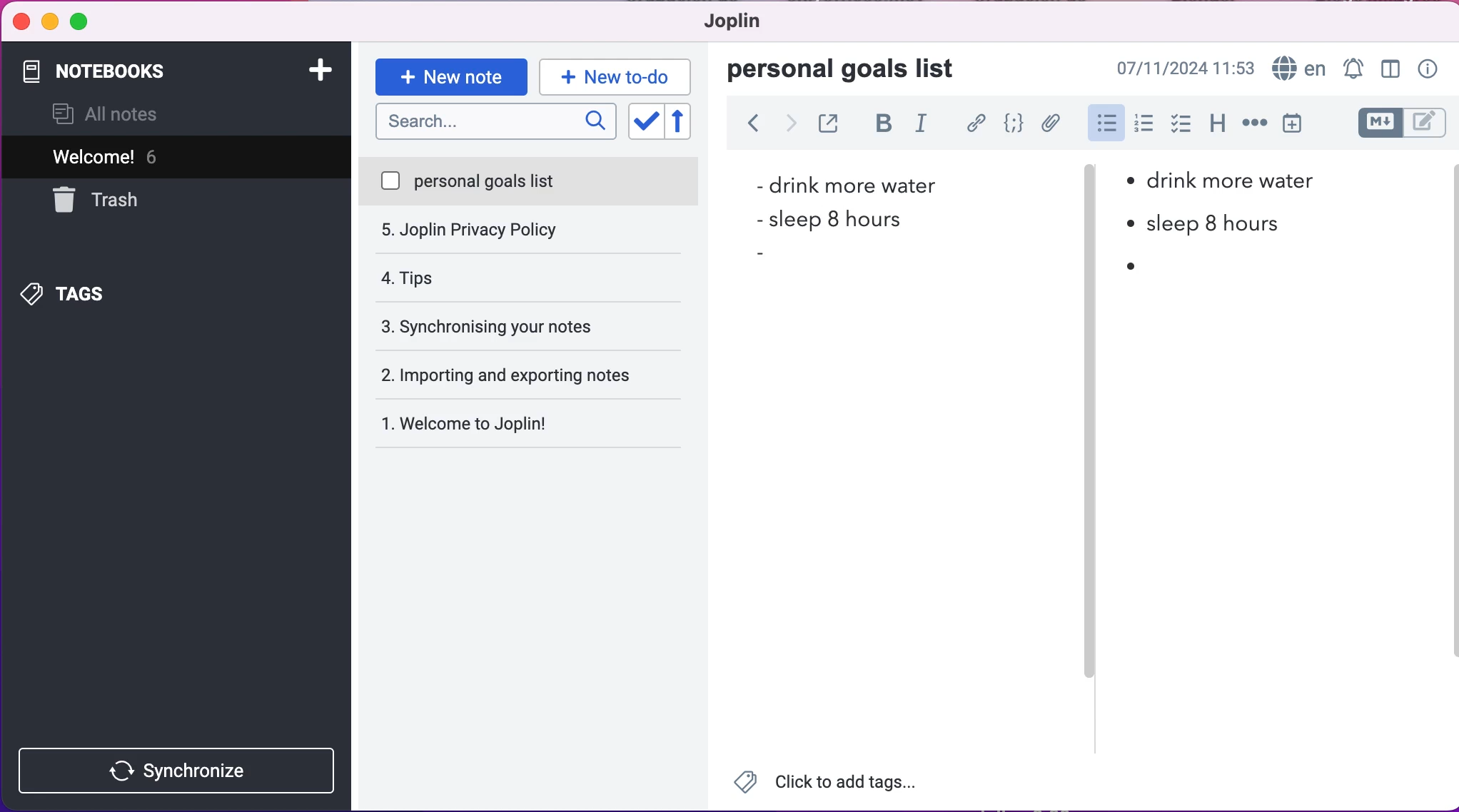 The height and width of the screenshot is (812, 1459). Describe the element at coordinates (158, 156) in the screenshot. I see `welcome! 5` at that location.